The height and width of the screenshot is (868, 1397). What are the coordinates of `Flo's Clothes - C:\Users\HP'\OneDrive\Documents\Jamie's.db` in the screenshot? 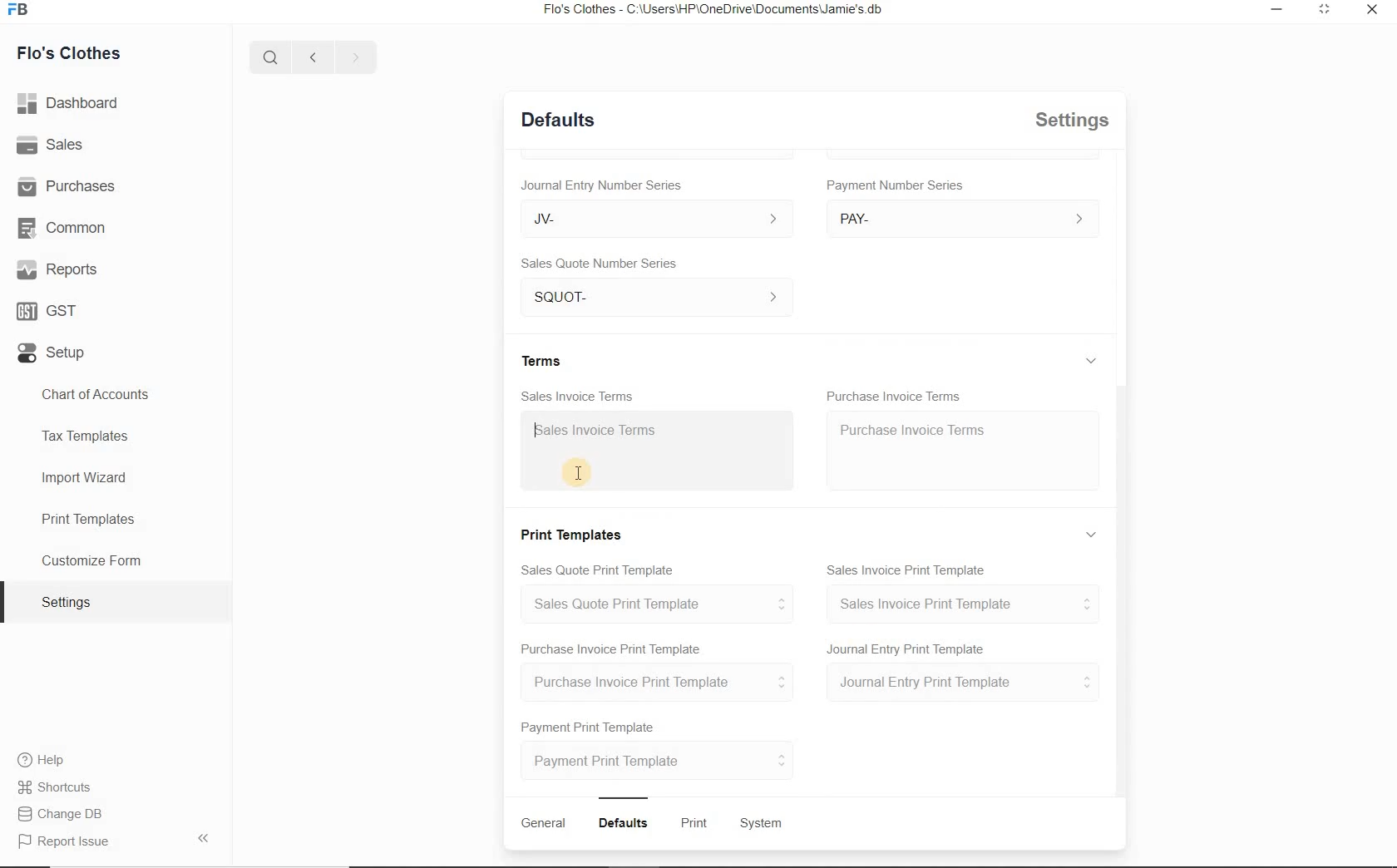 It's located at (711, 9).